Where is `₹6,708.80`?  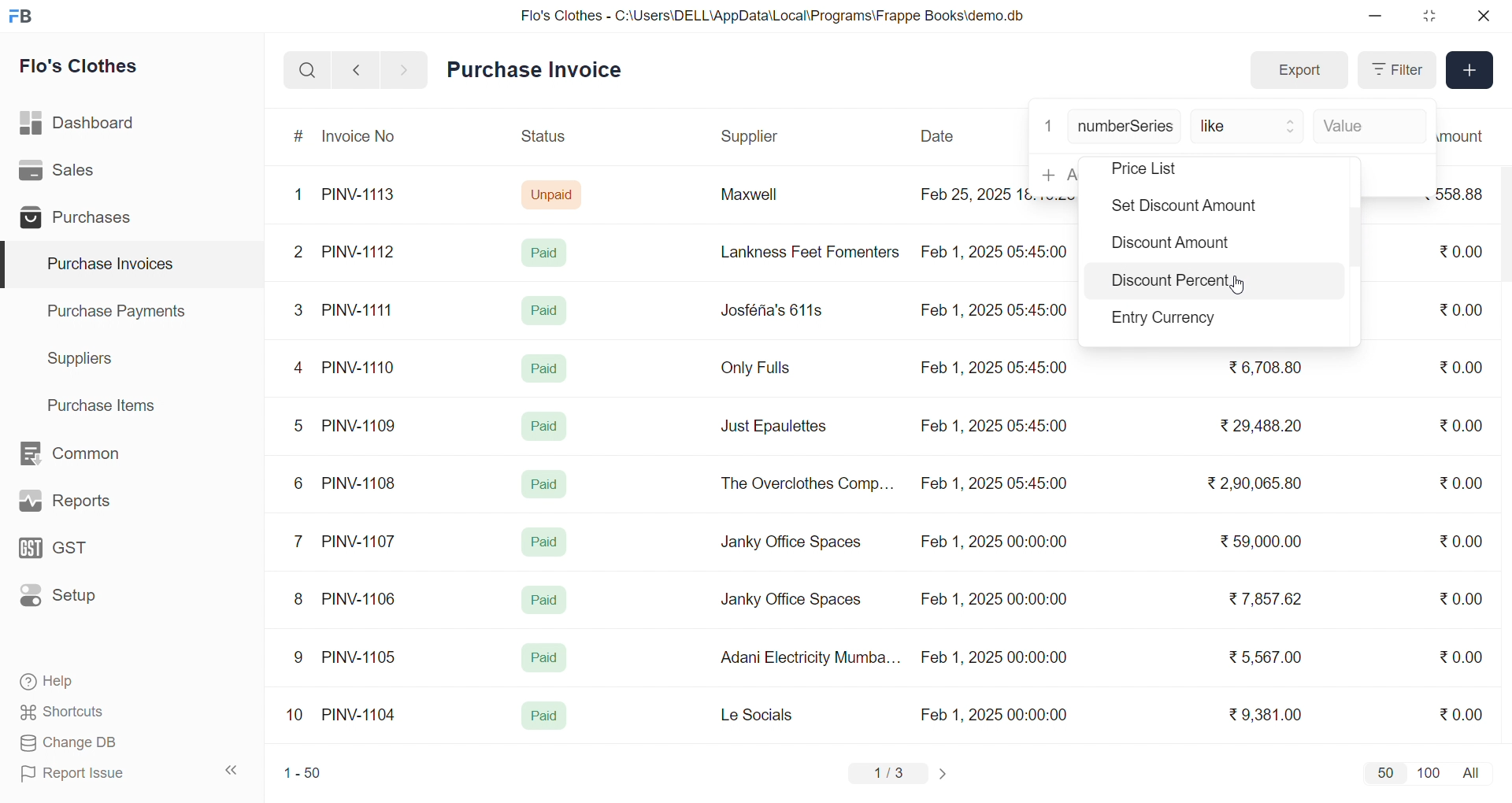
₹6,708.80 is located at coordinates (1265, 364).